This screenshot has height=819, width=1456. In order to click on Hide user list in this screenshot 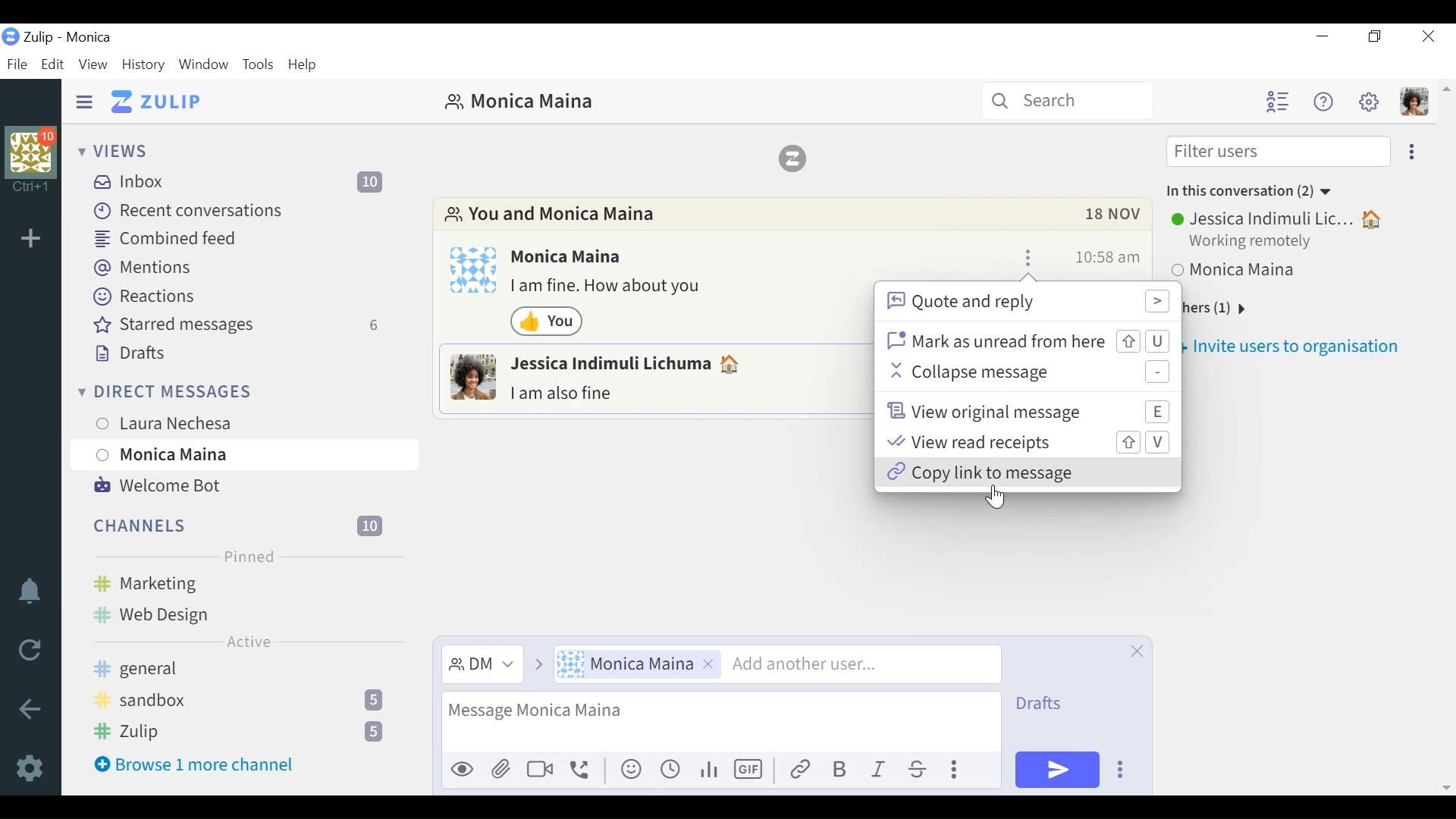, I will do `click(1277, 101)`.